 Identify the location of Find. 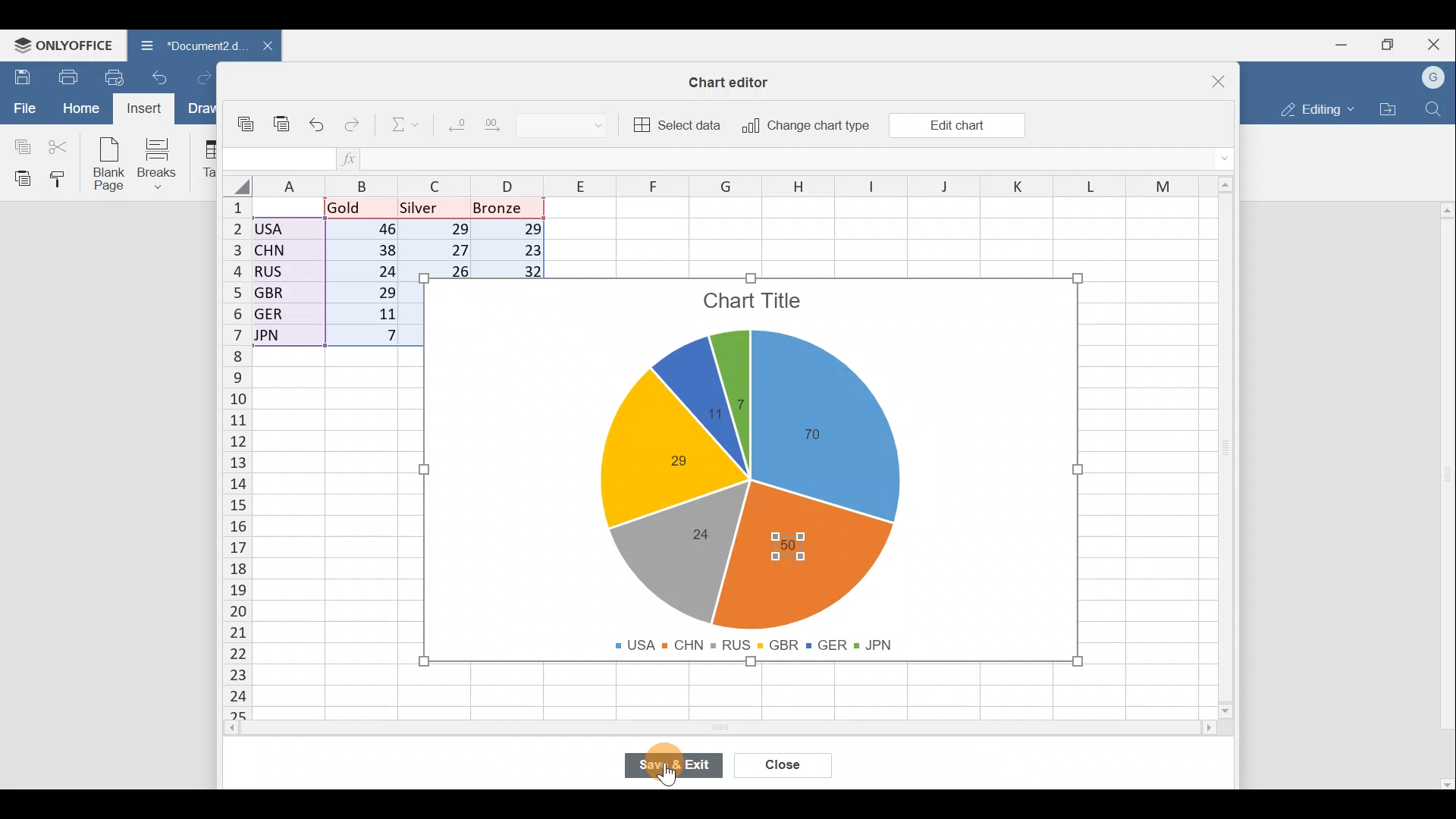
(1436, 106).